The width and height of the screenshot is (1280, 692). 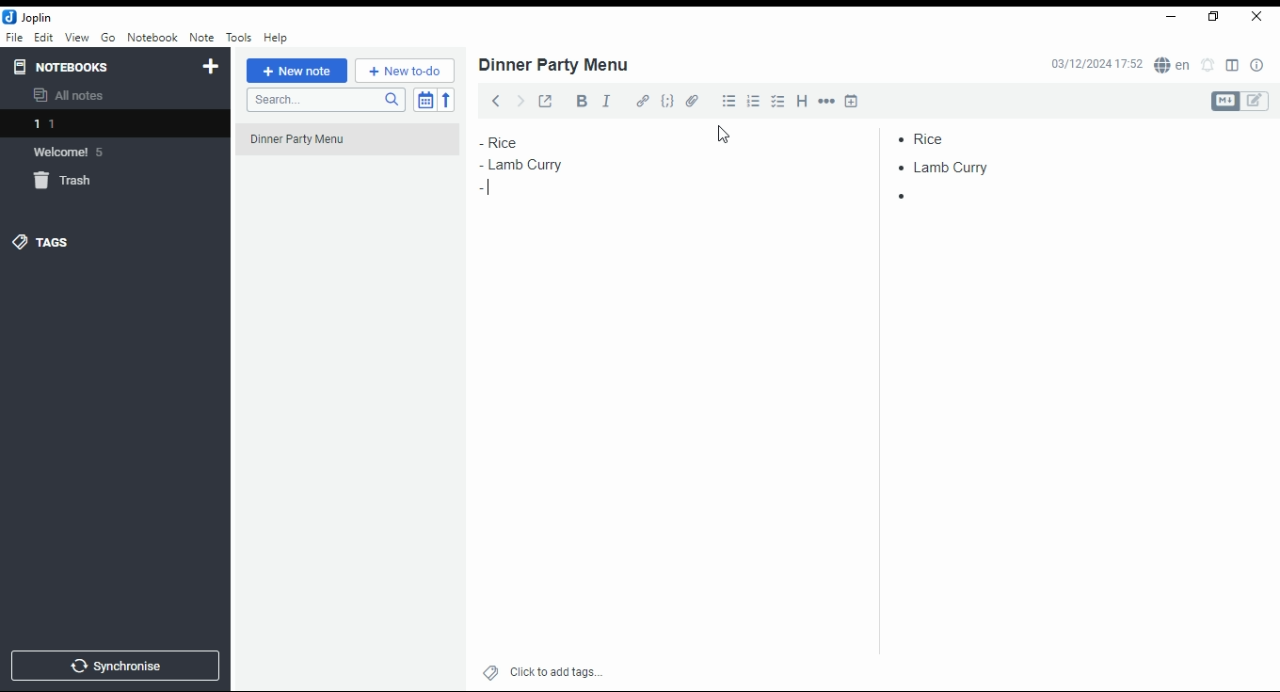 I want to click on trash, so click(x=66, y=181).